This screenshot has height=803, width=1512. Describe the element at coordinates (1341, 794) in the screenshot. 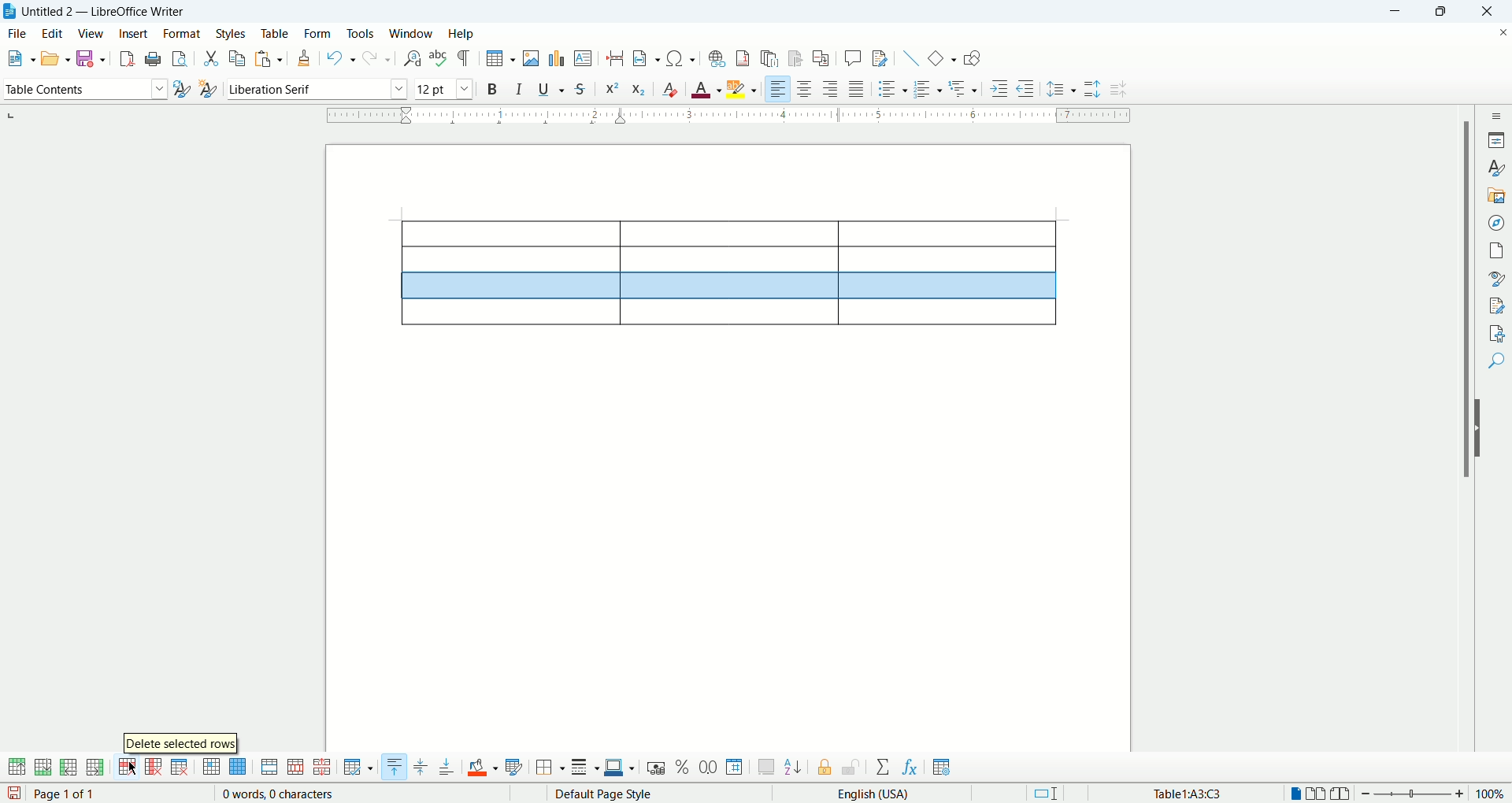

I see `bookview` at that location.